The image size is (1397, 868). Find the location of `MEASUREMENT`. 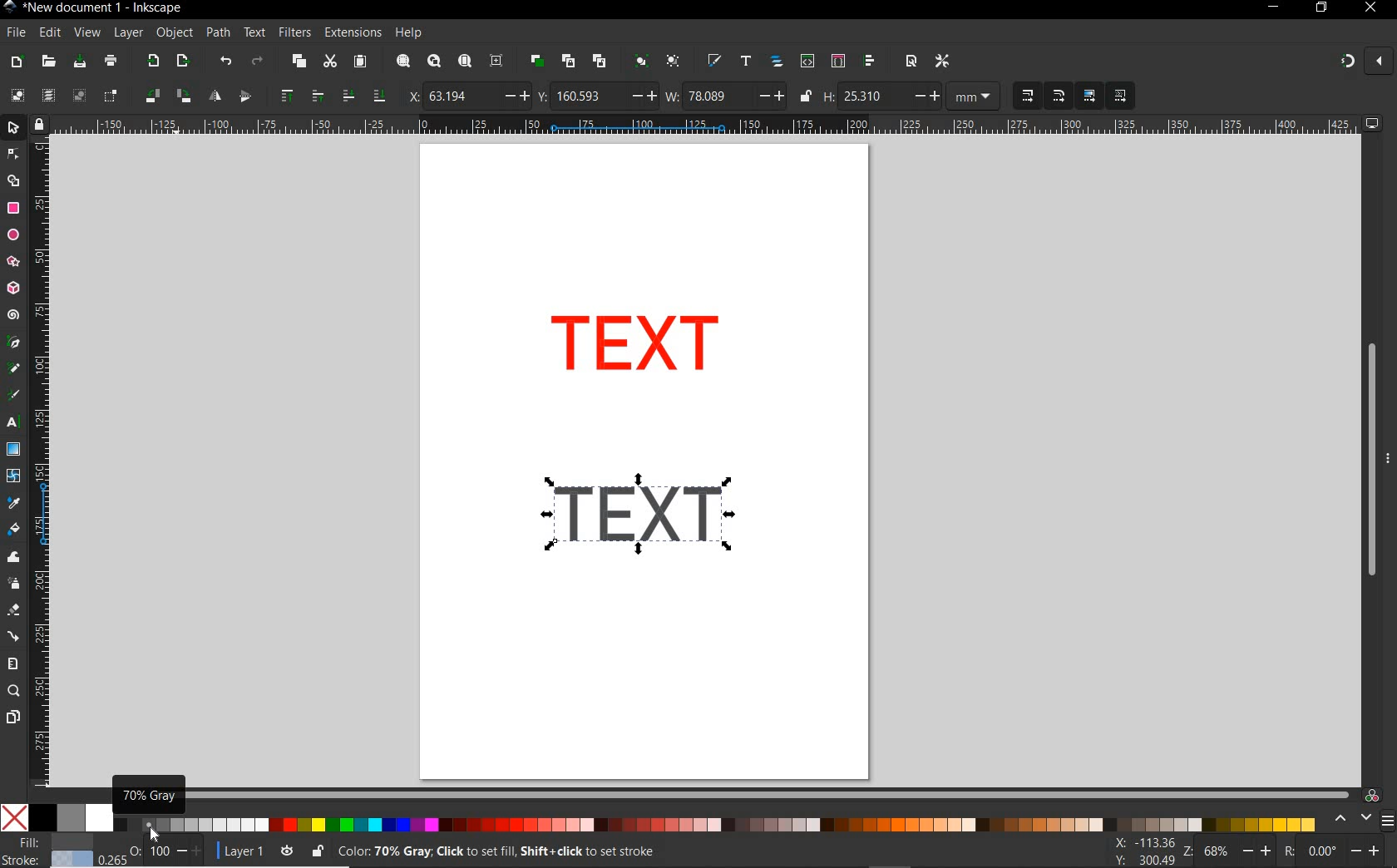

MEASUREMENT is located at coordinates (976, 96).